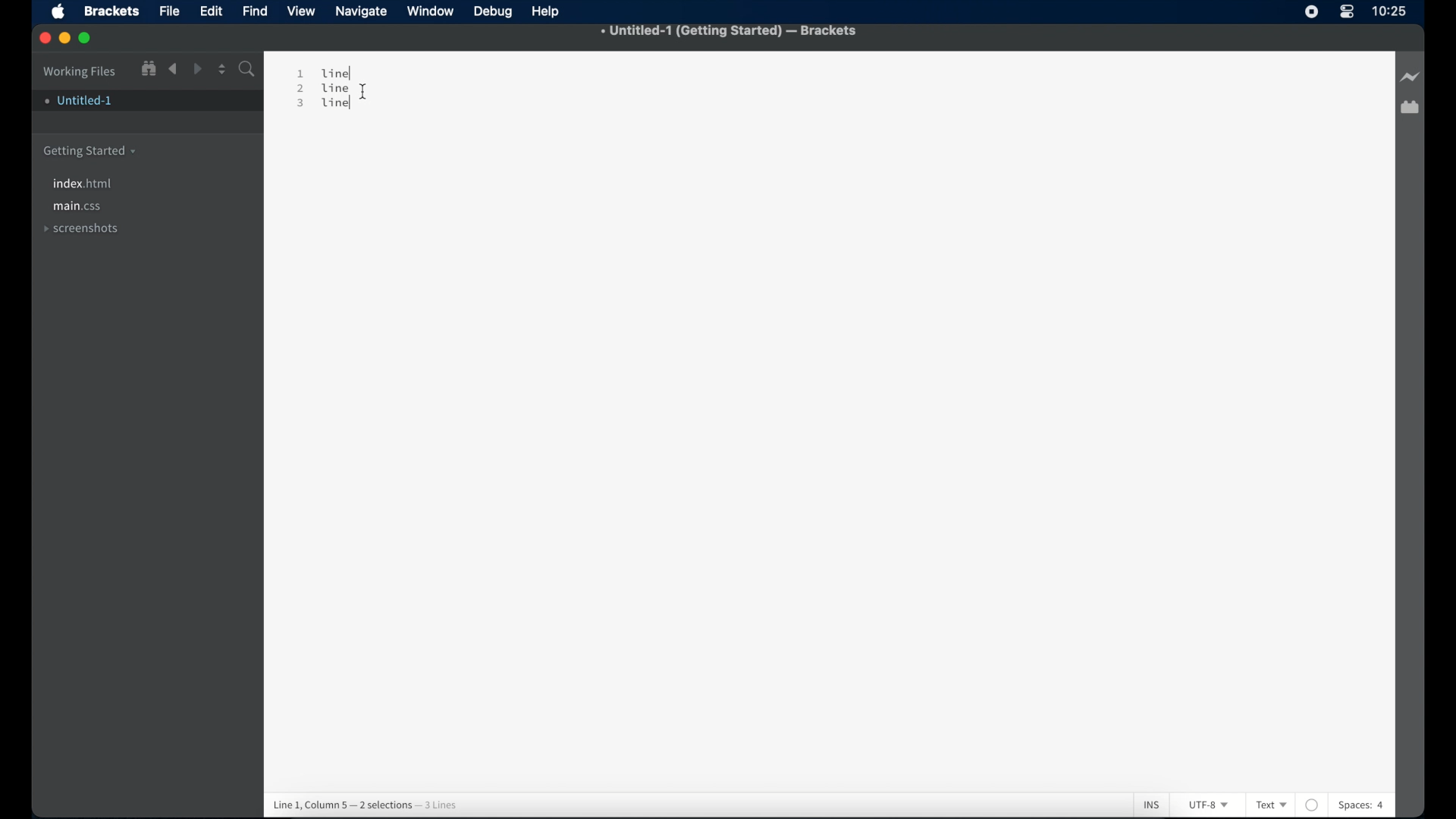  I want to click on close, so click(46, 39).